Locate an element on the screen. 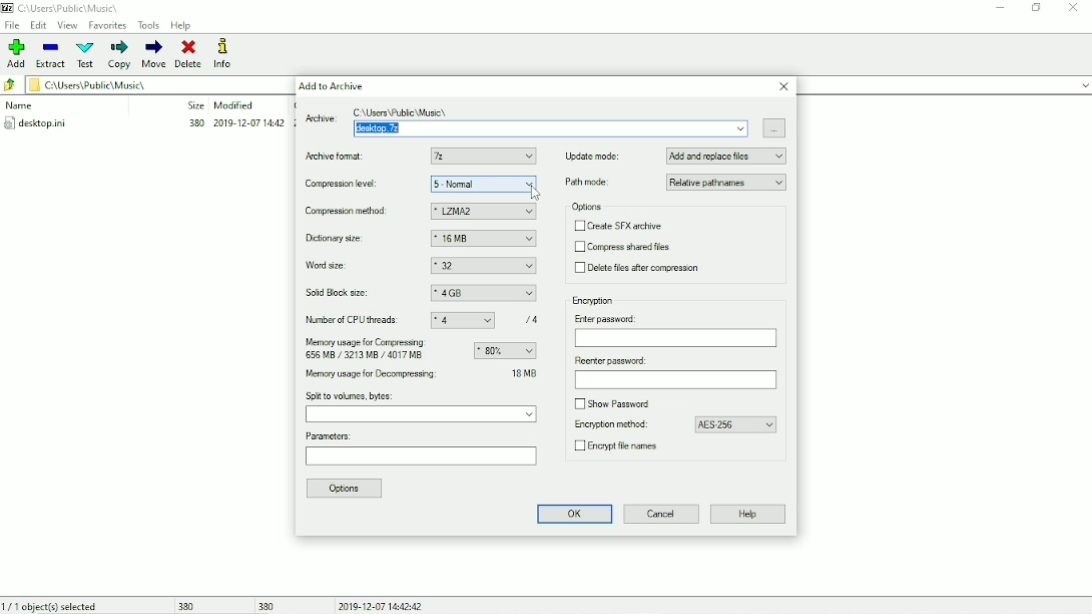 This screenshot has height=614, width=1092. Memory usage for compressing is located at coordinates (370, 350).